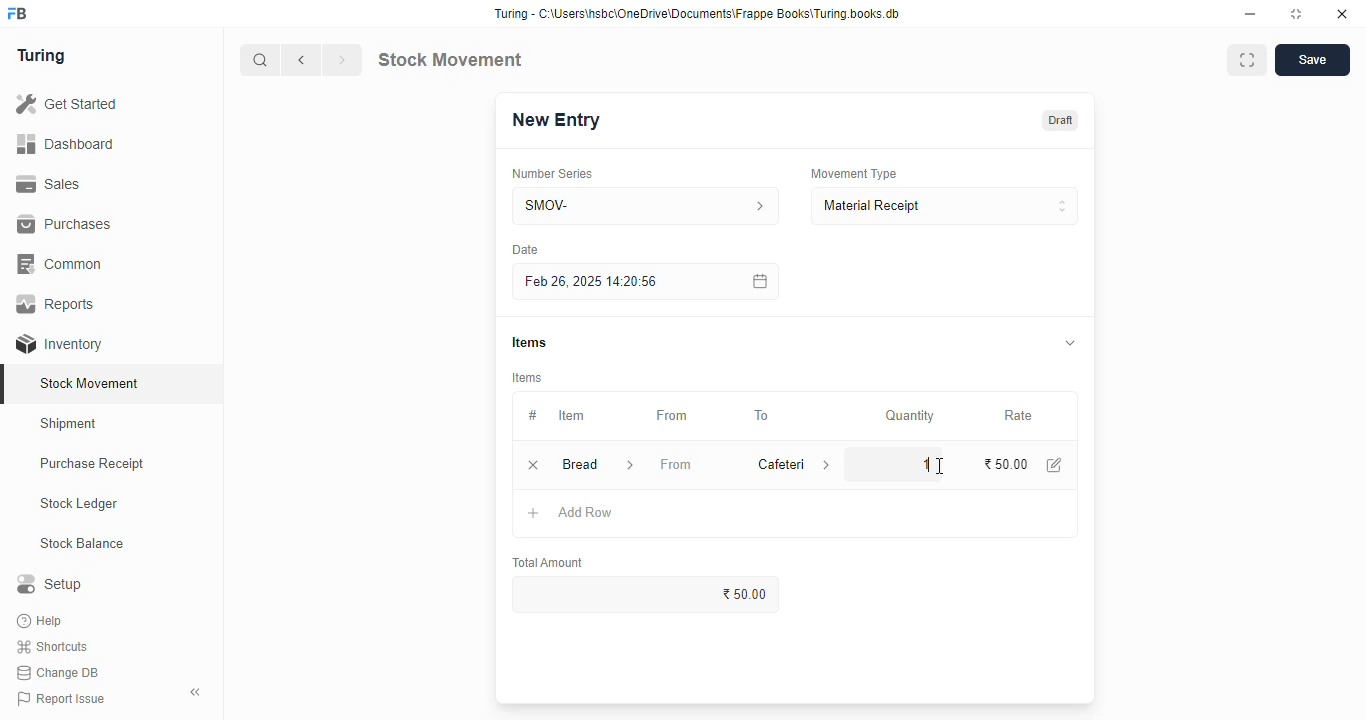  Describe the element at coordinates (449, 59) in the screenshot. I see `stock movement` at that location.